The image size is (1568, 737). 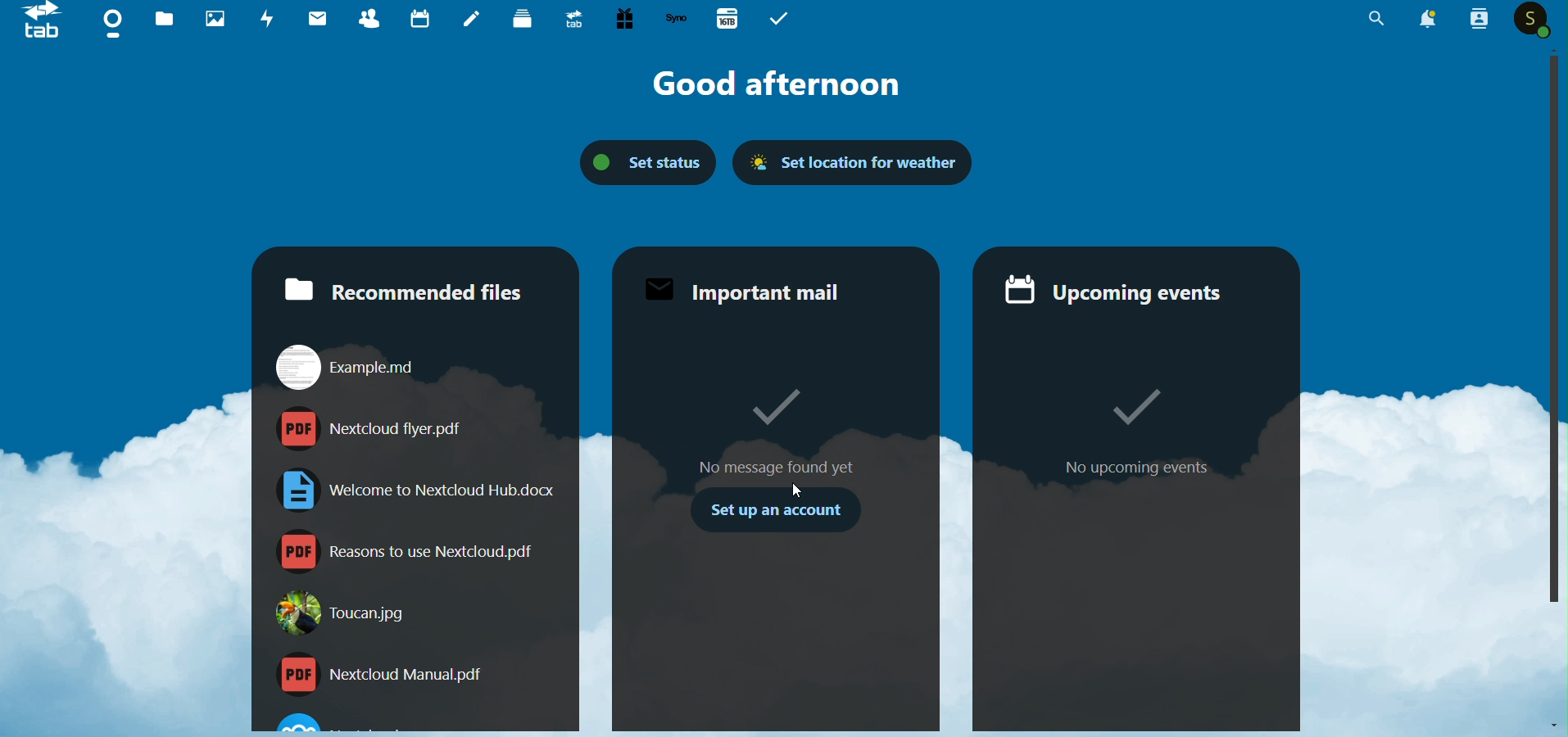 I want to click on scroll bar, so click(x=1552, y=333).